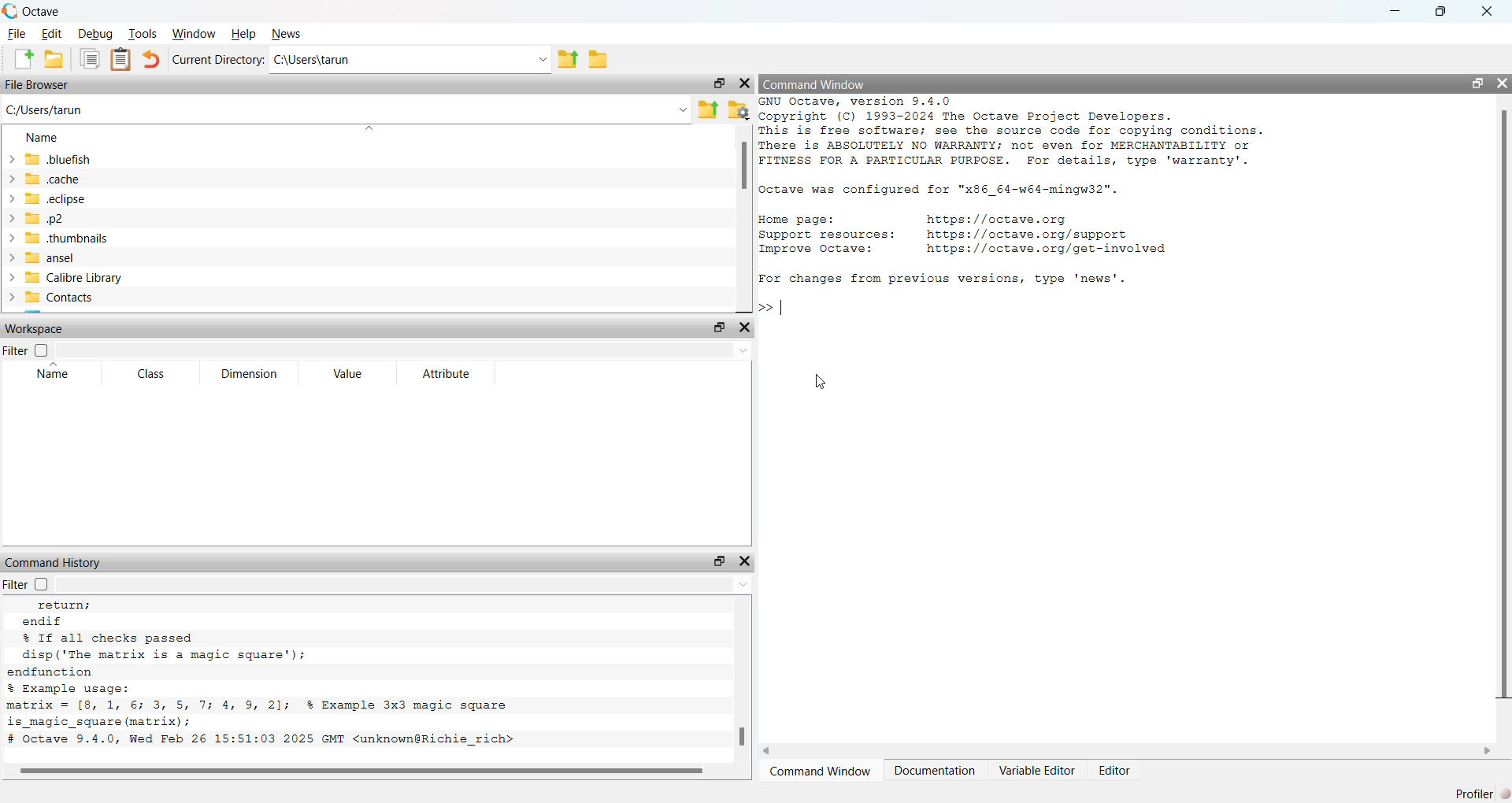  Describe the element at coordinates (143, 33) in the screenshot. I see `Tools` at that location.